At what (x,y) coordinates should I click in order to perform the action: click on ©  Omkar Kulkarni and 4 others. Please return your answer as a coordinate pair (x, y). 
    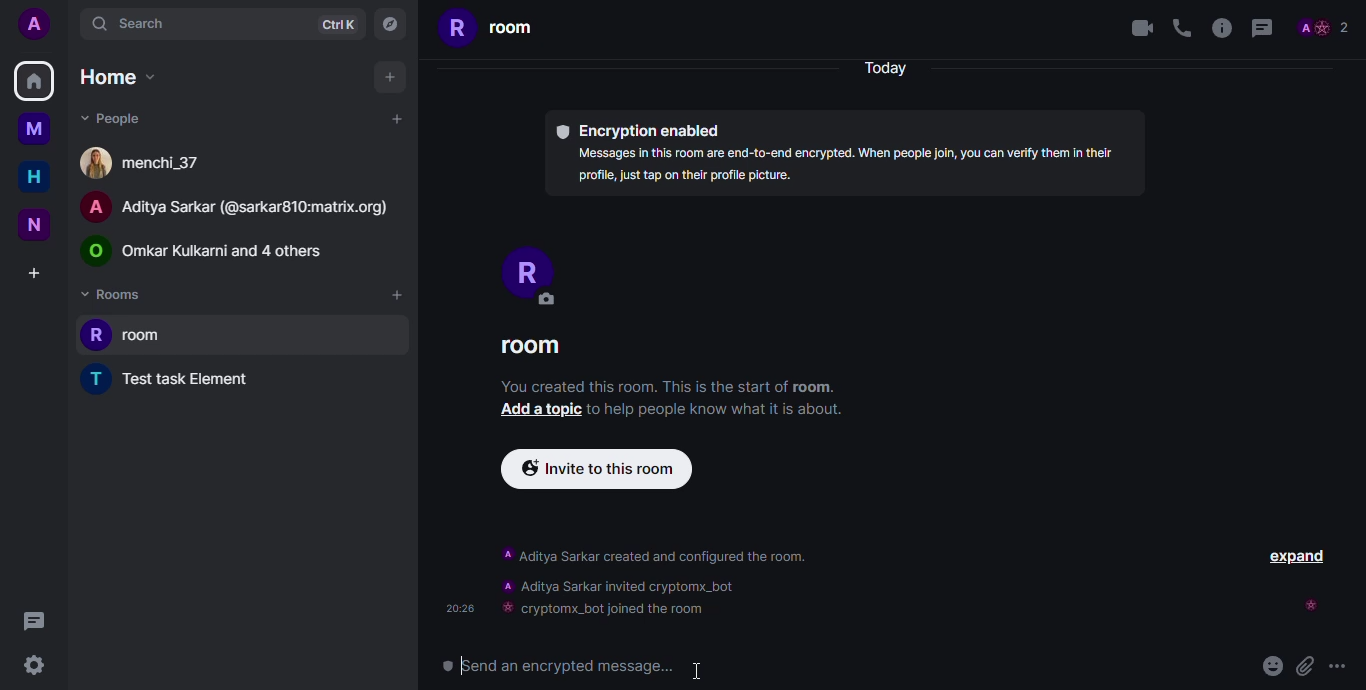
    Looking at the image, I should click on (208, 252).